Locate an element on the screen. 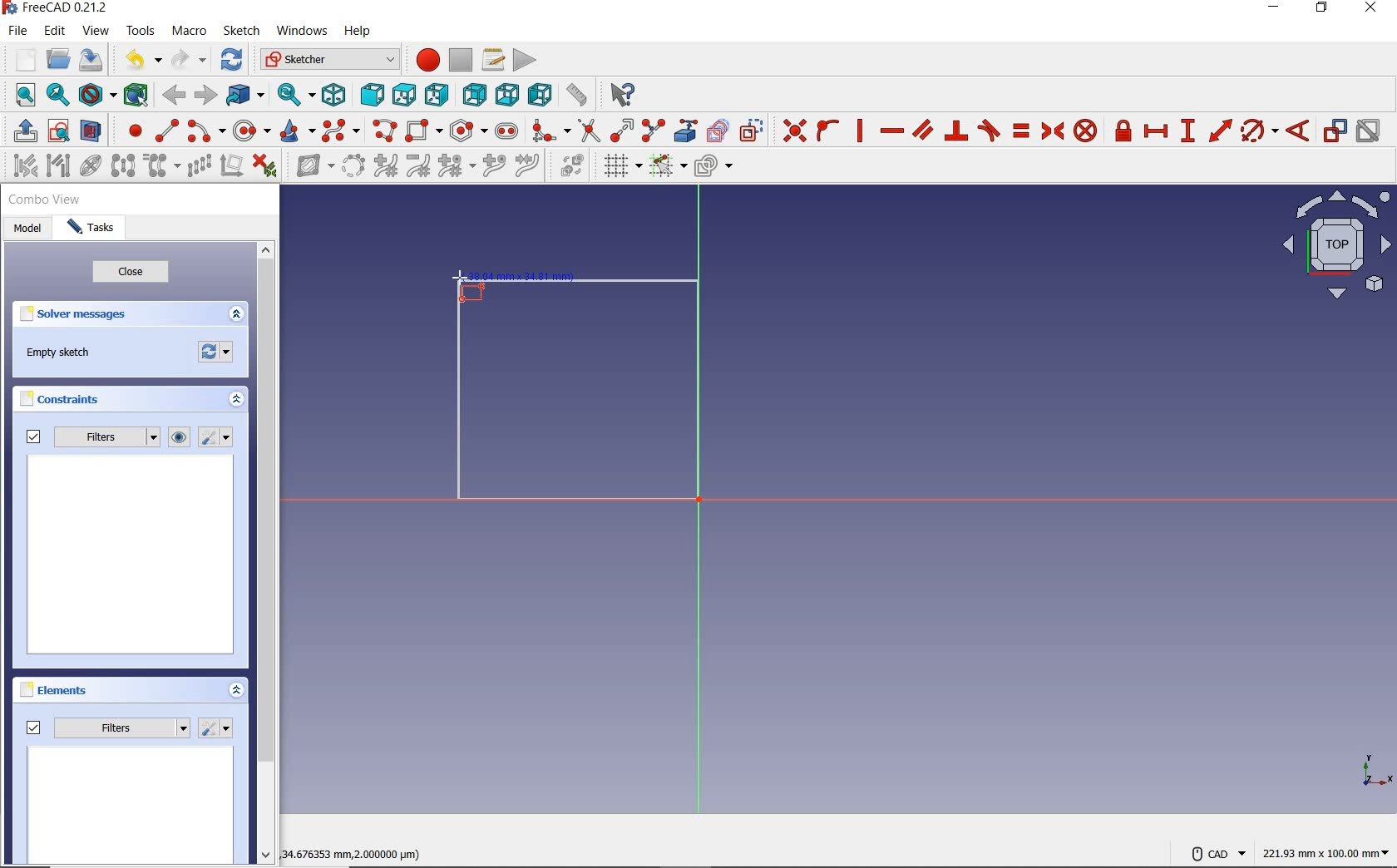 The image size is (1397, 868). constrain symmetrical is located at coordinates (1052, 131).